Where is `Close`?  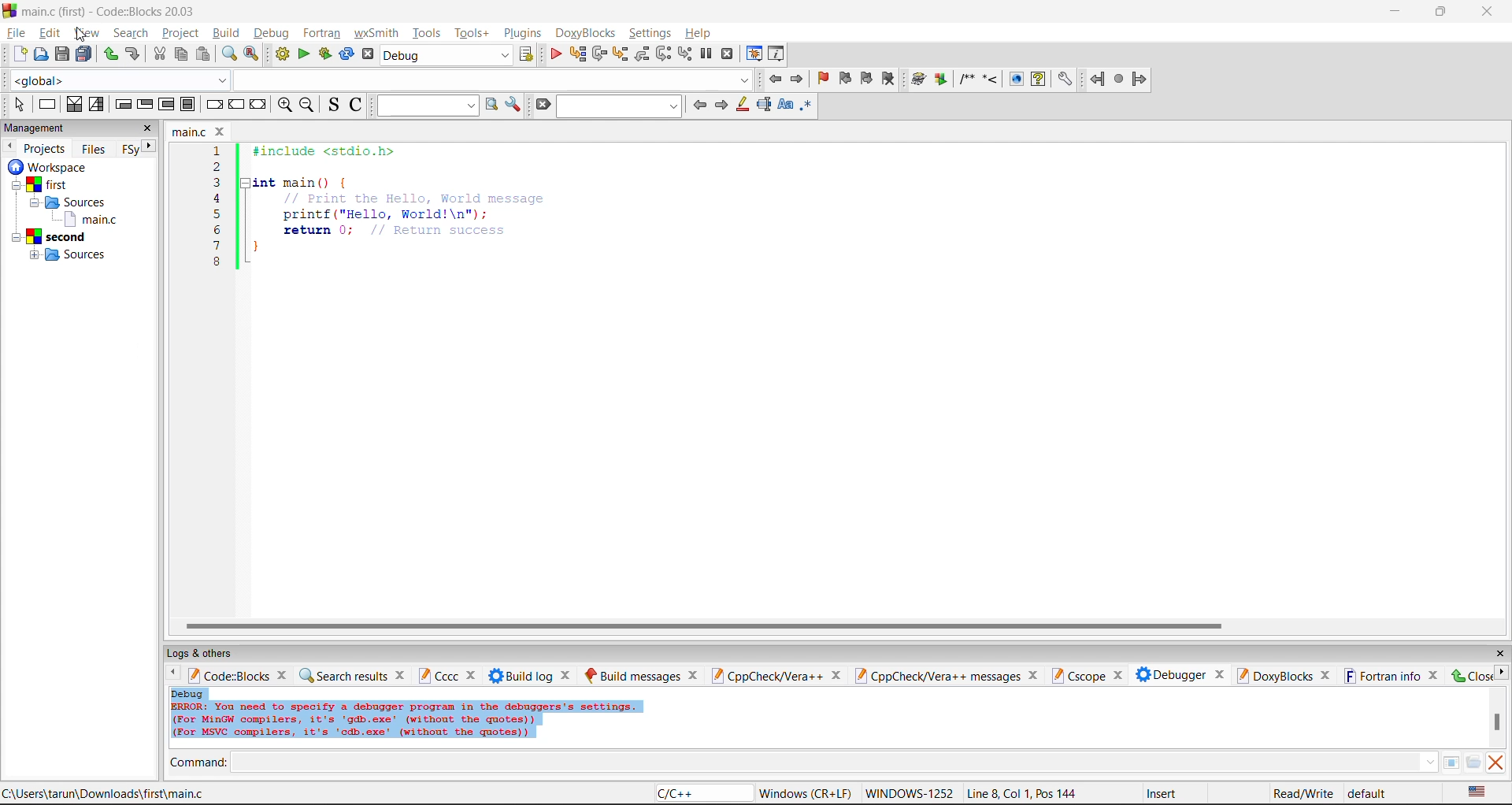 Close is located at coordinates (1471, 675).